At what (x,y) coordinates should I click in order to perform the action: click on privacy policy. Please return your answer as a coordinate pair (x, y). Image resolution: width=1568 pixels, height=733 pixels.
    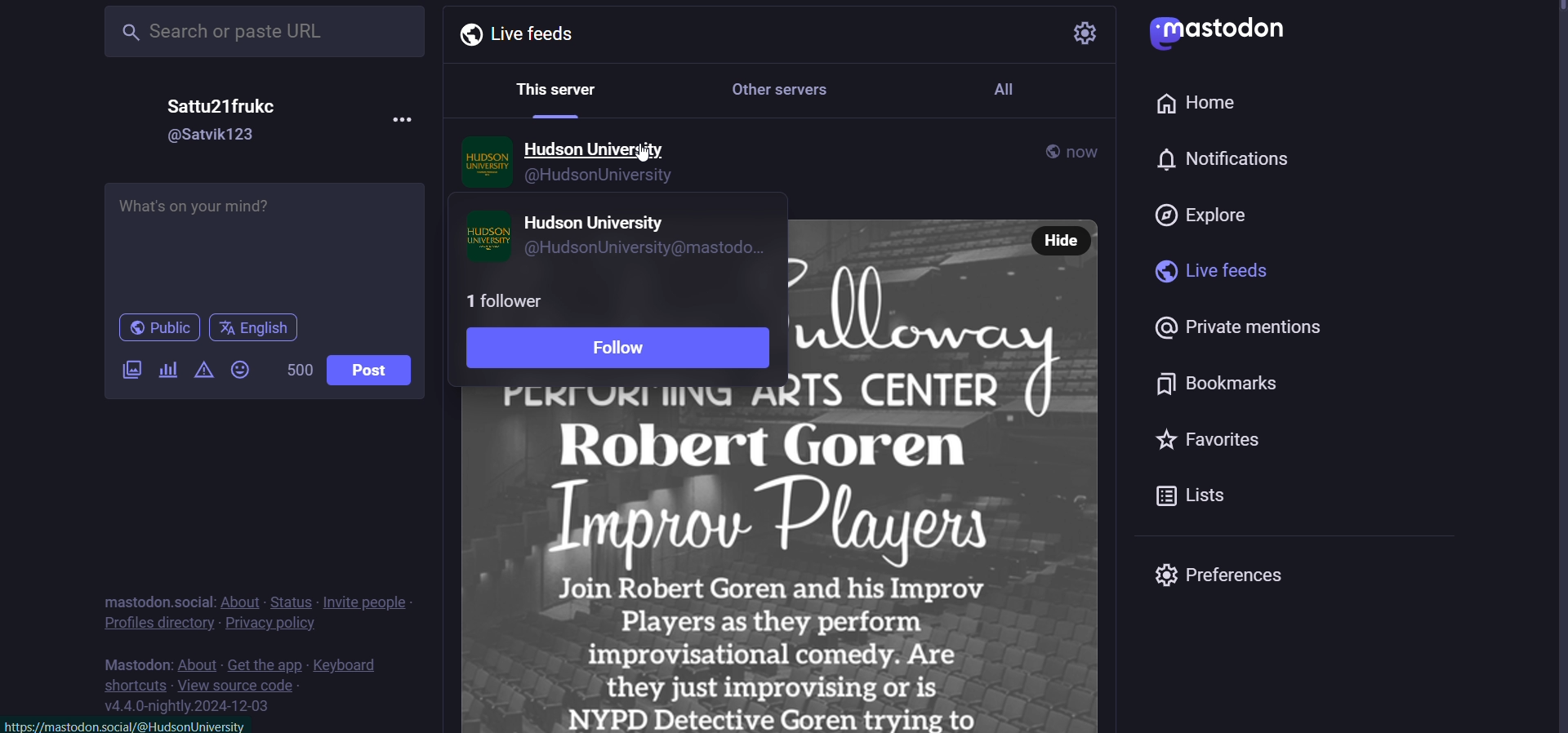
    Looking at the image, I should click on (272, 625).